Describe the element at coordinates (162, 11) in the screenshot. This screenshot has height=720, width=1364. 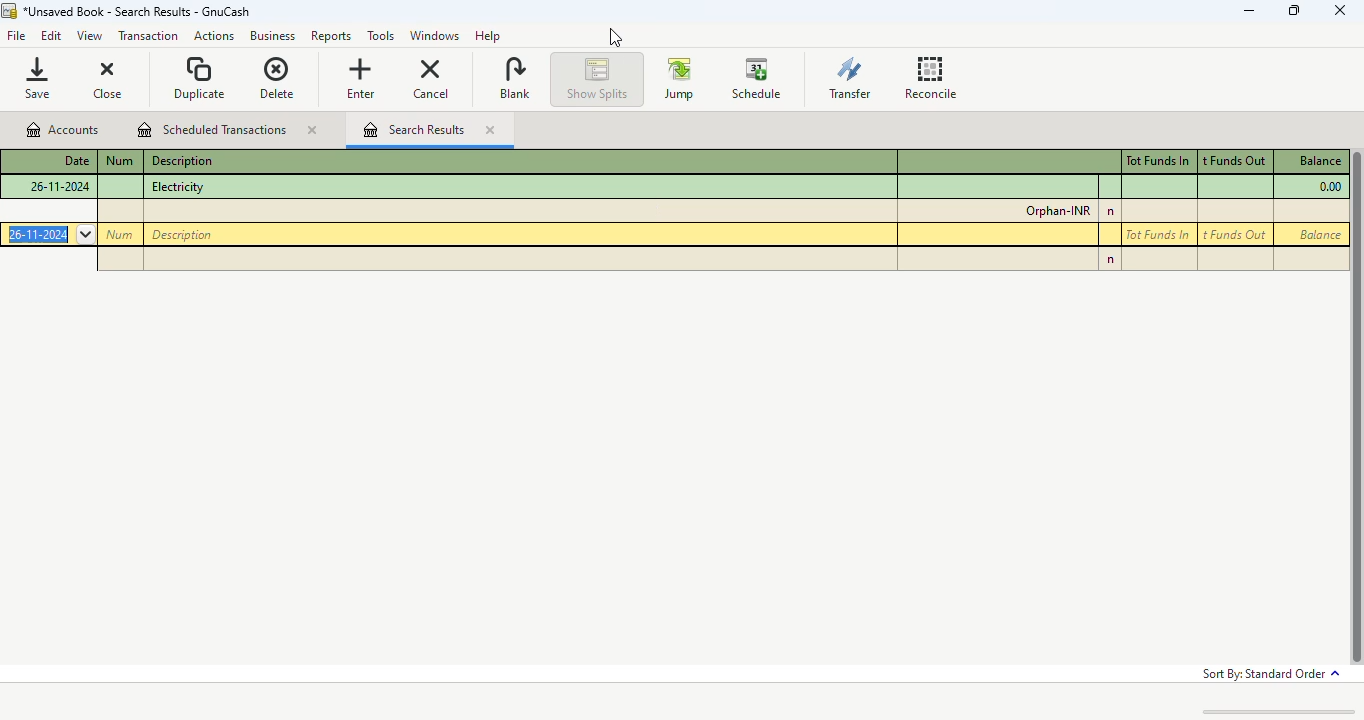
I see `title` at that location.